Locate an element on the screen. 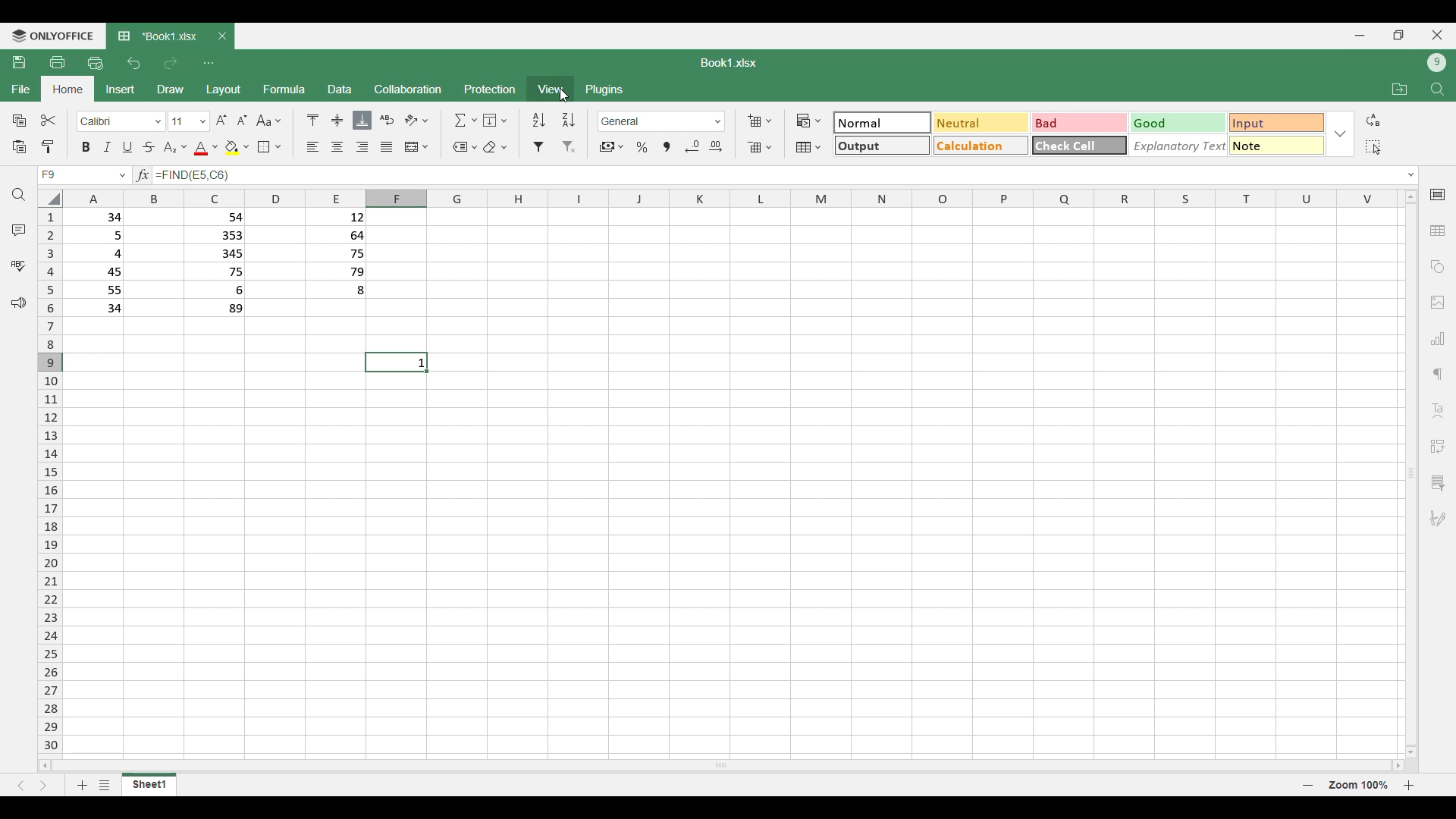 The image size is (1456, 819). Next is located at coordinates (45, 786).